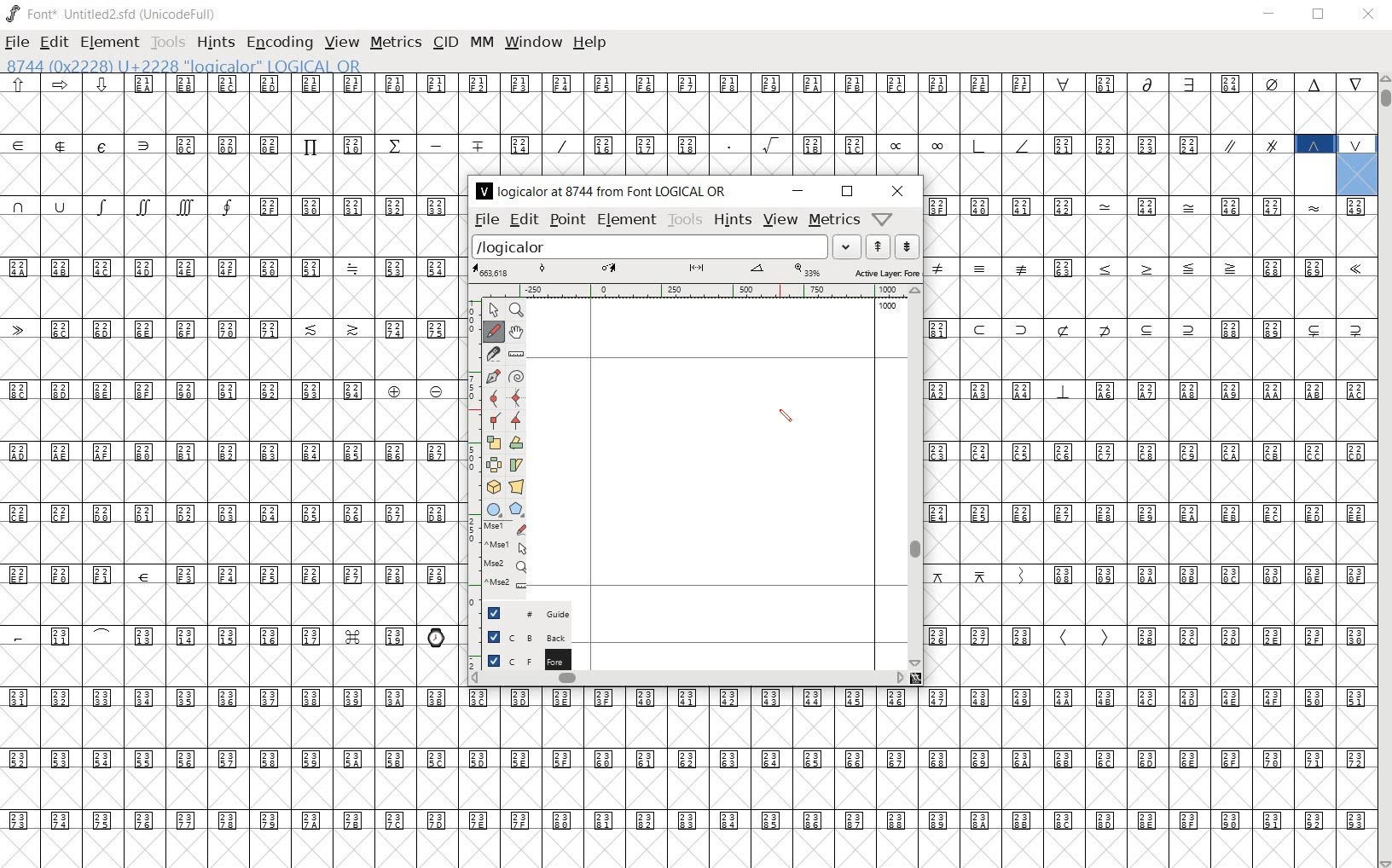 Image resolution: width=1392 pixels, height=868 pixels. Describe the element at coordinates (491, 353) in the screenshot. I see `cut splines in two` at that location.